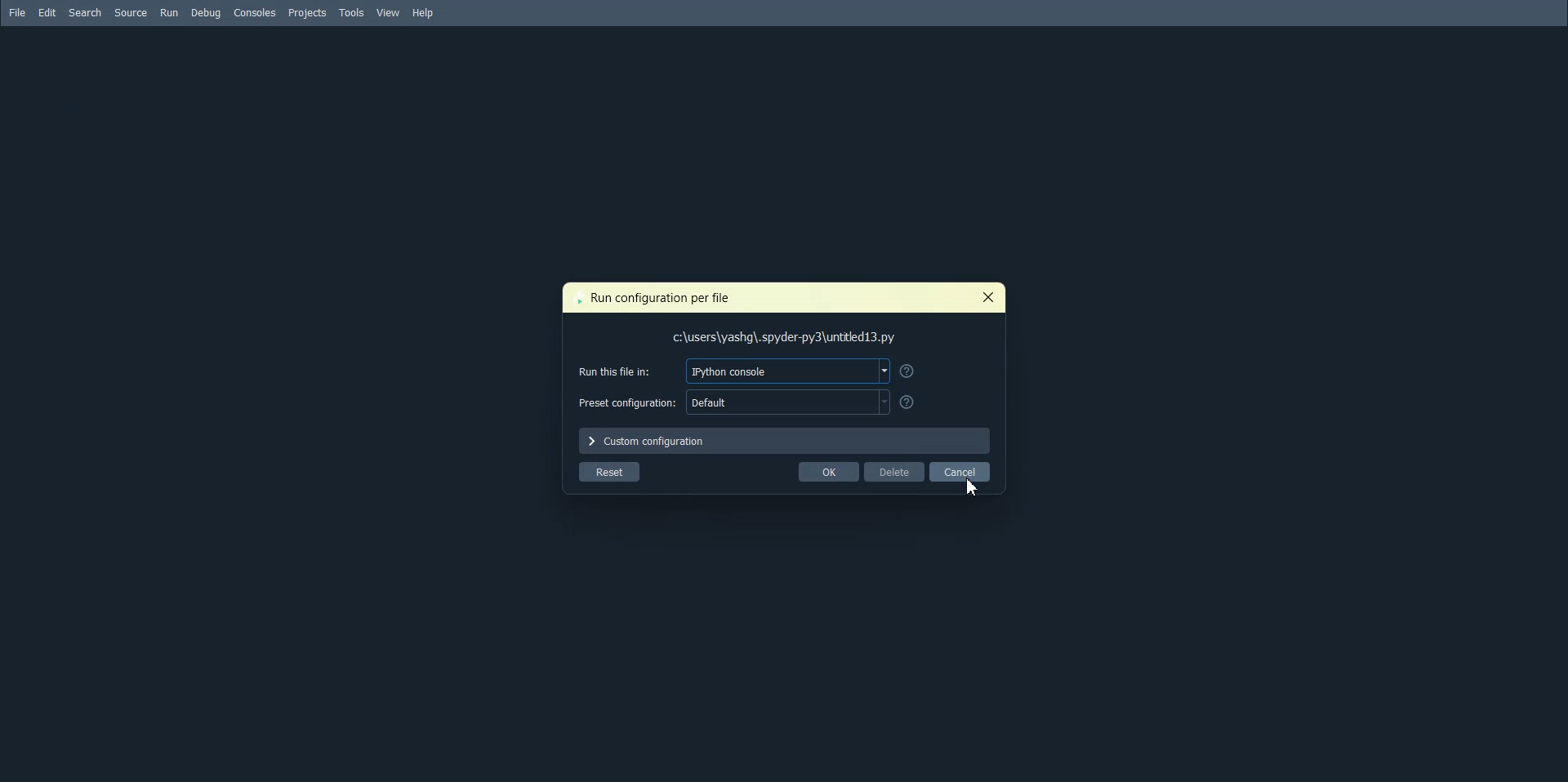 This screenshot has height=782, width=1568. Describe the element at coordinates (910, 371) in the screenshot. I see `Get help` at that location.